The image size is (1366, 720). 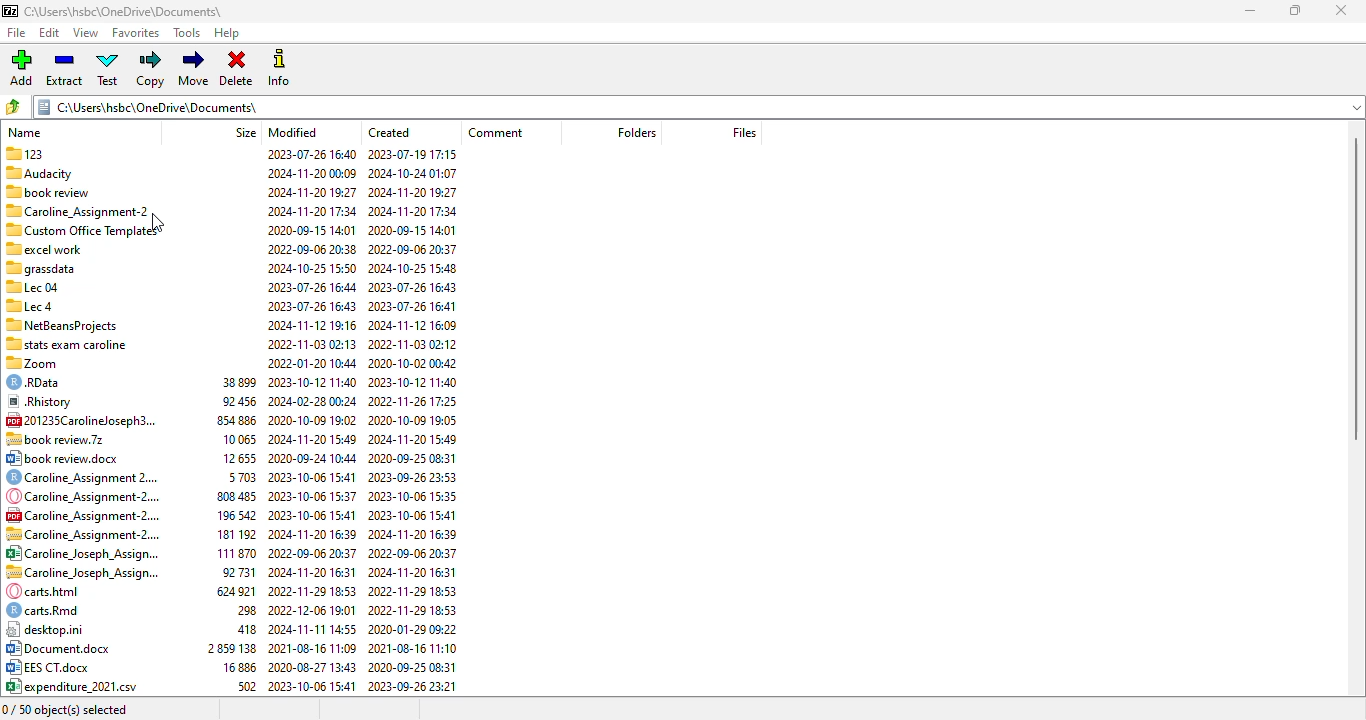 What do you see at coordinates (310, 666) in the screenshot?
I see ` 2020-08-27 13:43` at bounding box center [310, 666].